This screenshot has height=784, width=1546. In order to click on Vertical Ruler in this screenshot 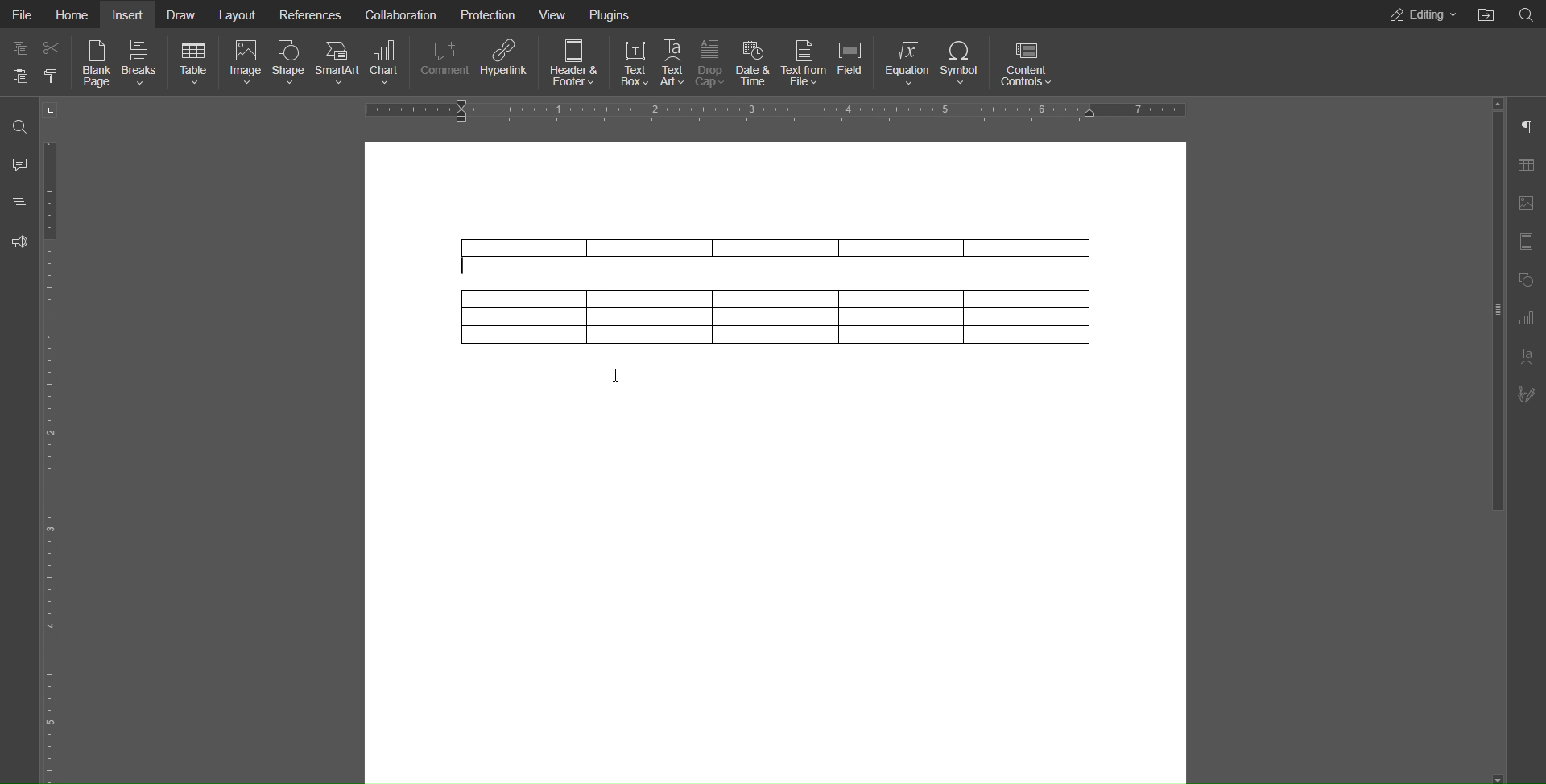, I will do `click(48, 457)`.